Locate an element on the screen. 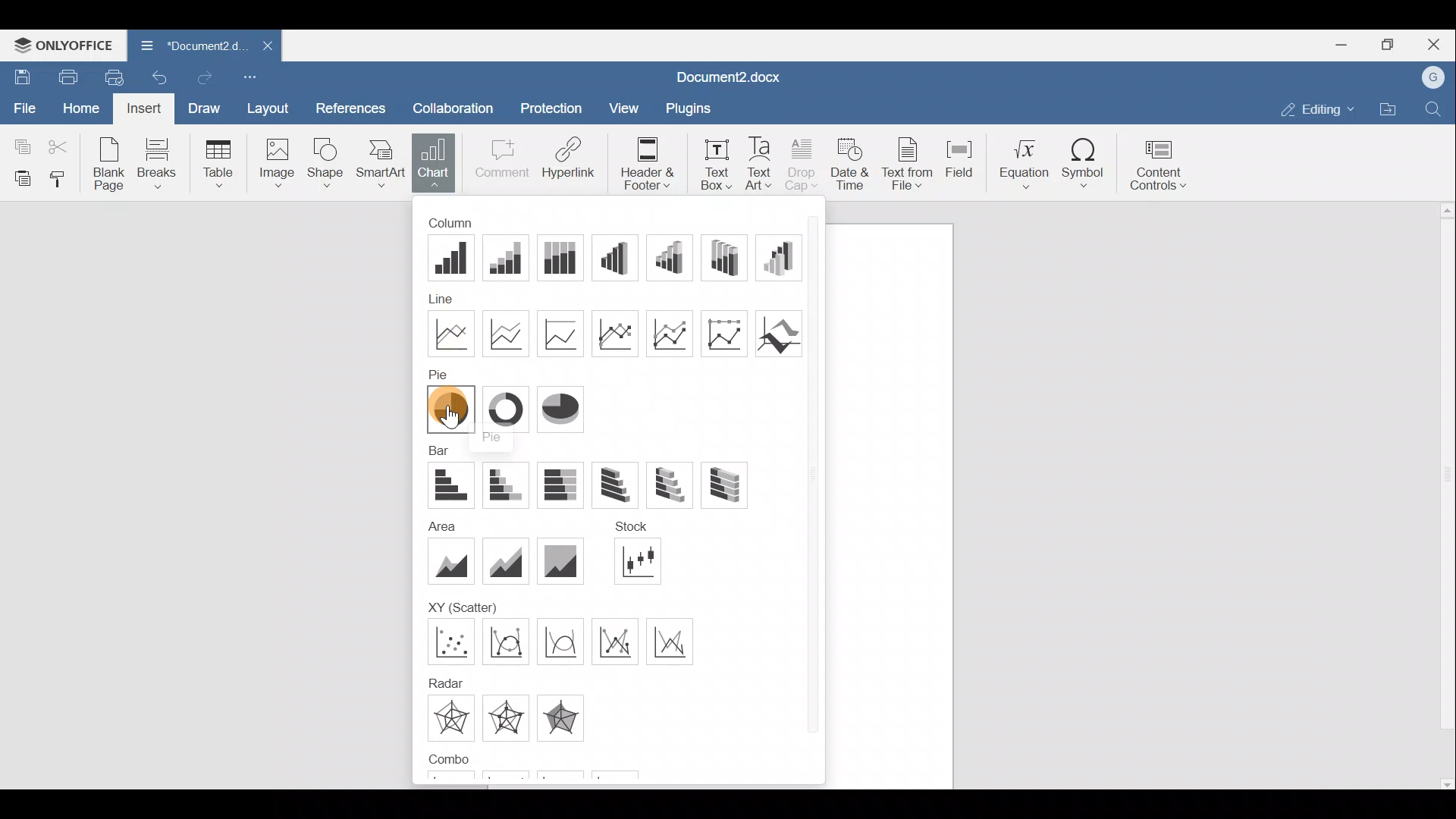 The image size is (1456, 819). Image is located at coordinates (275, 163).